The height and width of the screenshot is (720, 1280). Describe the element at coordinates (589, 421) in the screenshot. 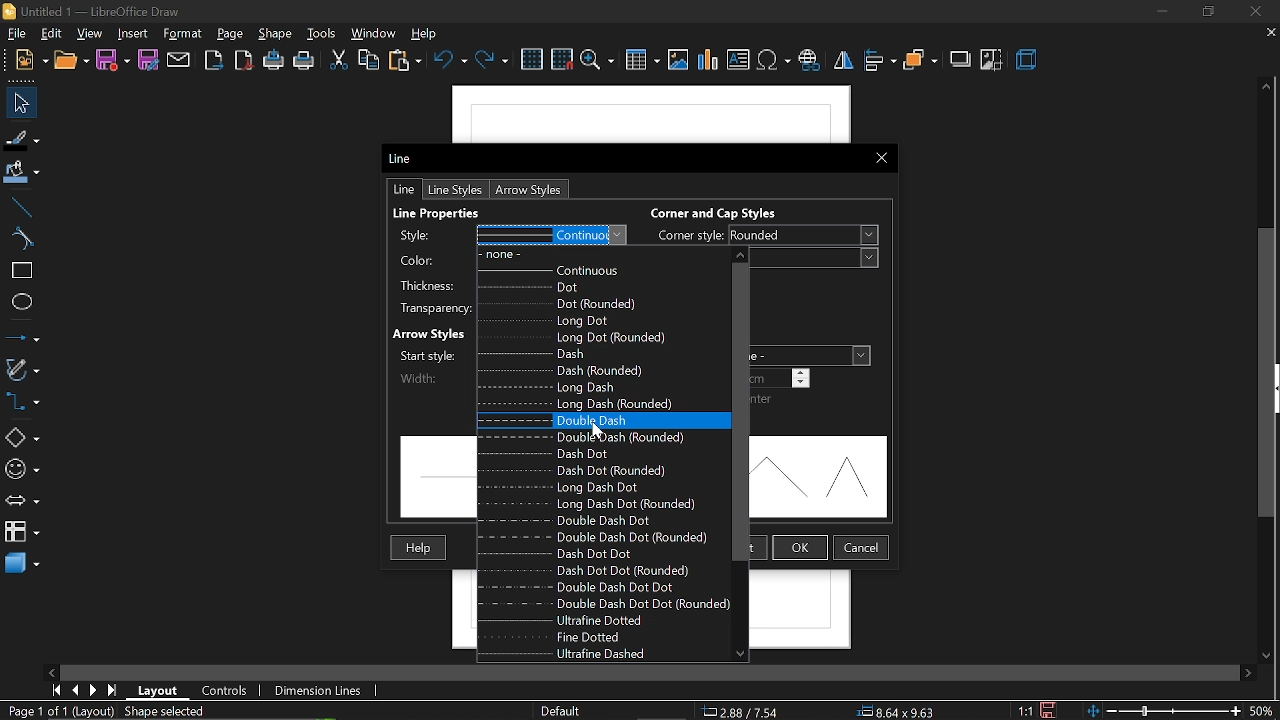

I see `Double dash` at that location.